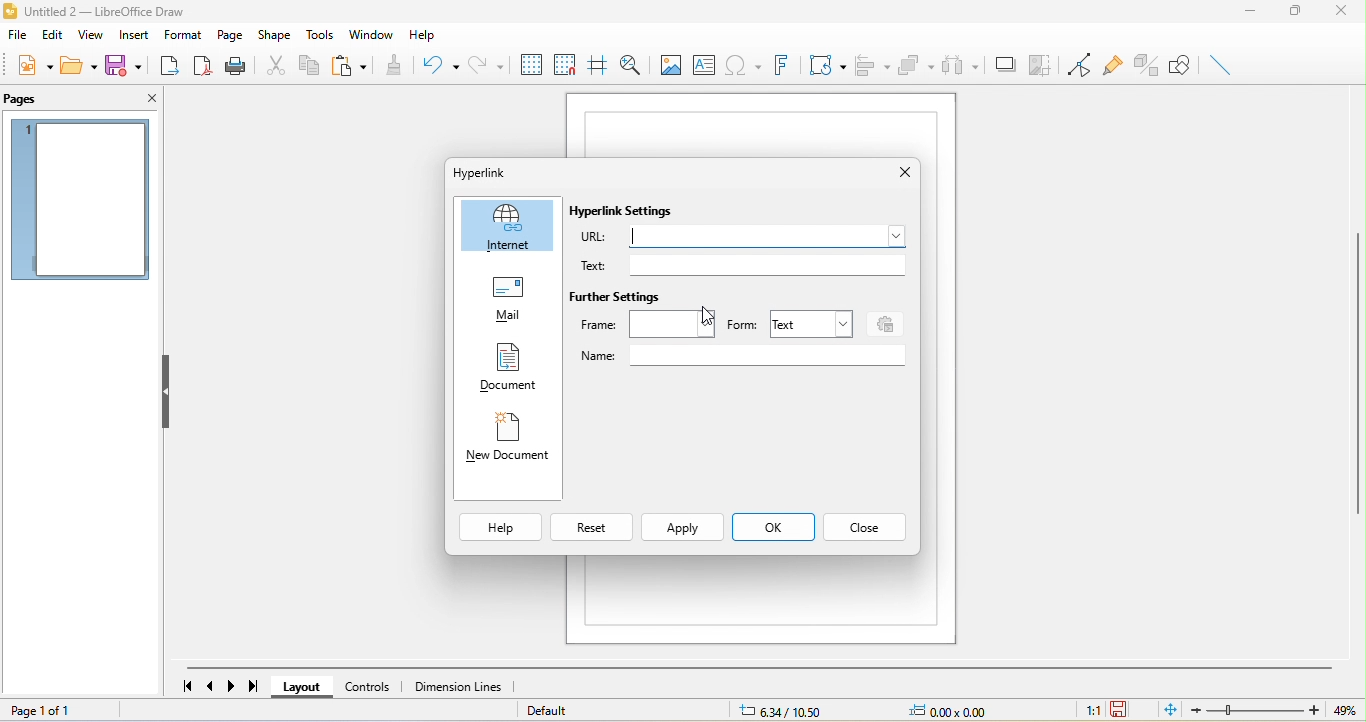  I want to click on maximize, so click(1293, 11).